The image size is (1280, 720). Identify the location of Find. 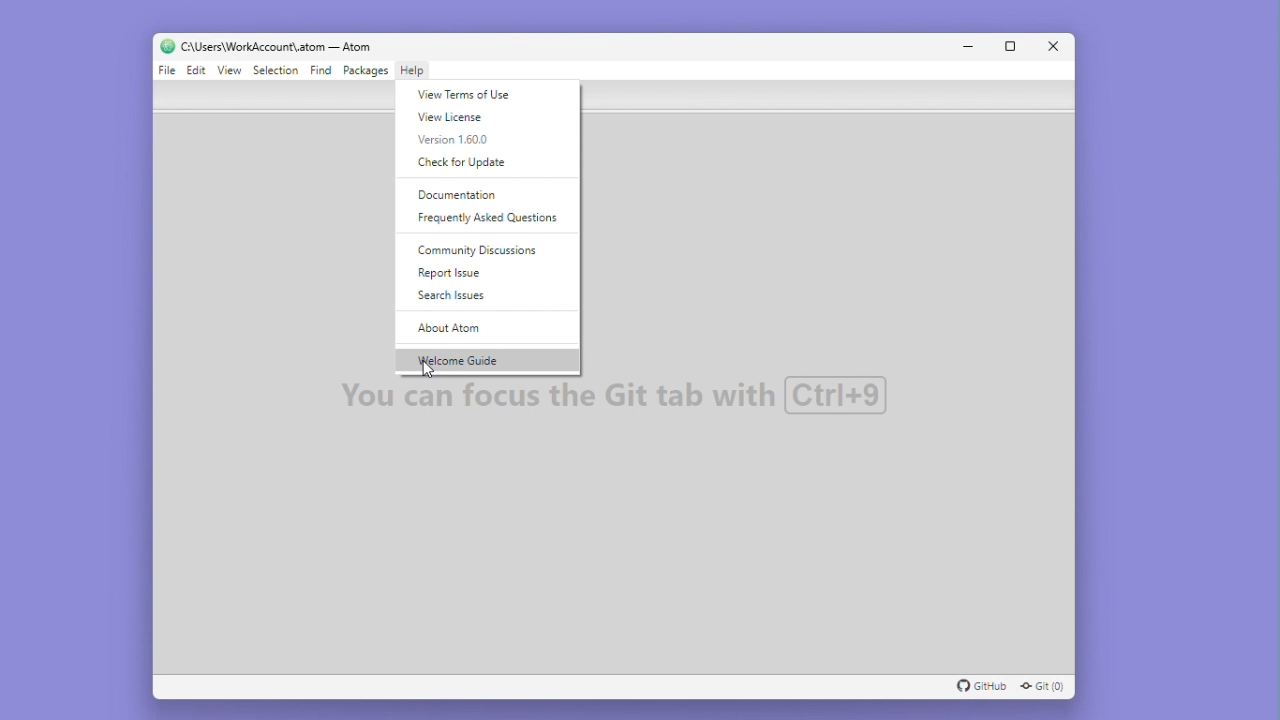
(322, 71).